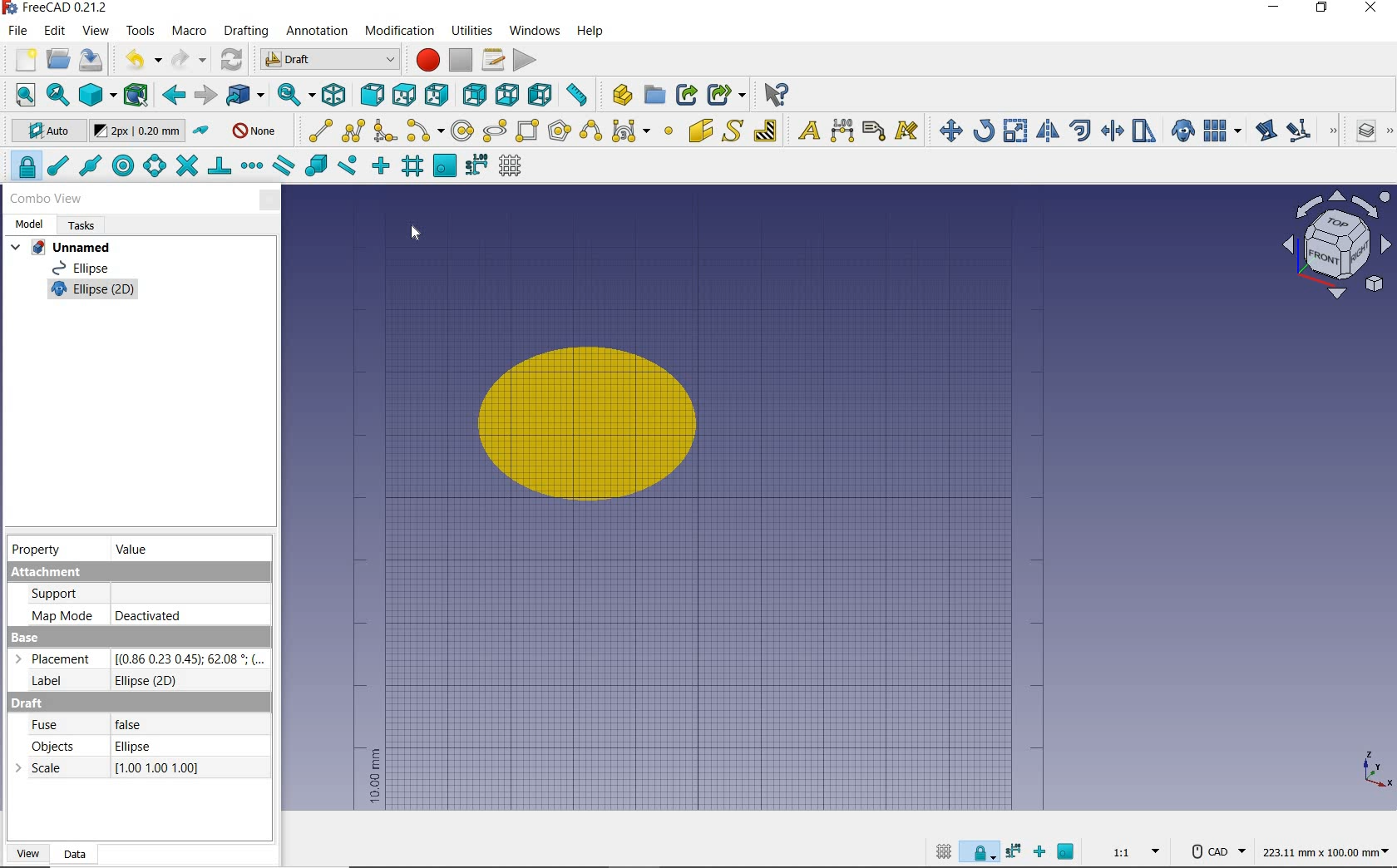  Describe the element at coordinates (507, 94) in the screenshot. I see `bottom` at that location.